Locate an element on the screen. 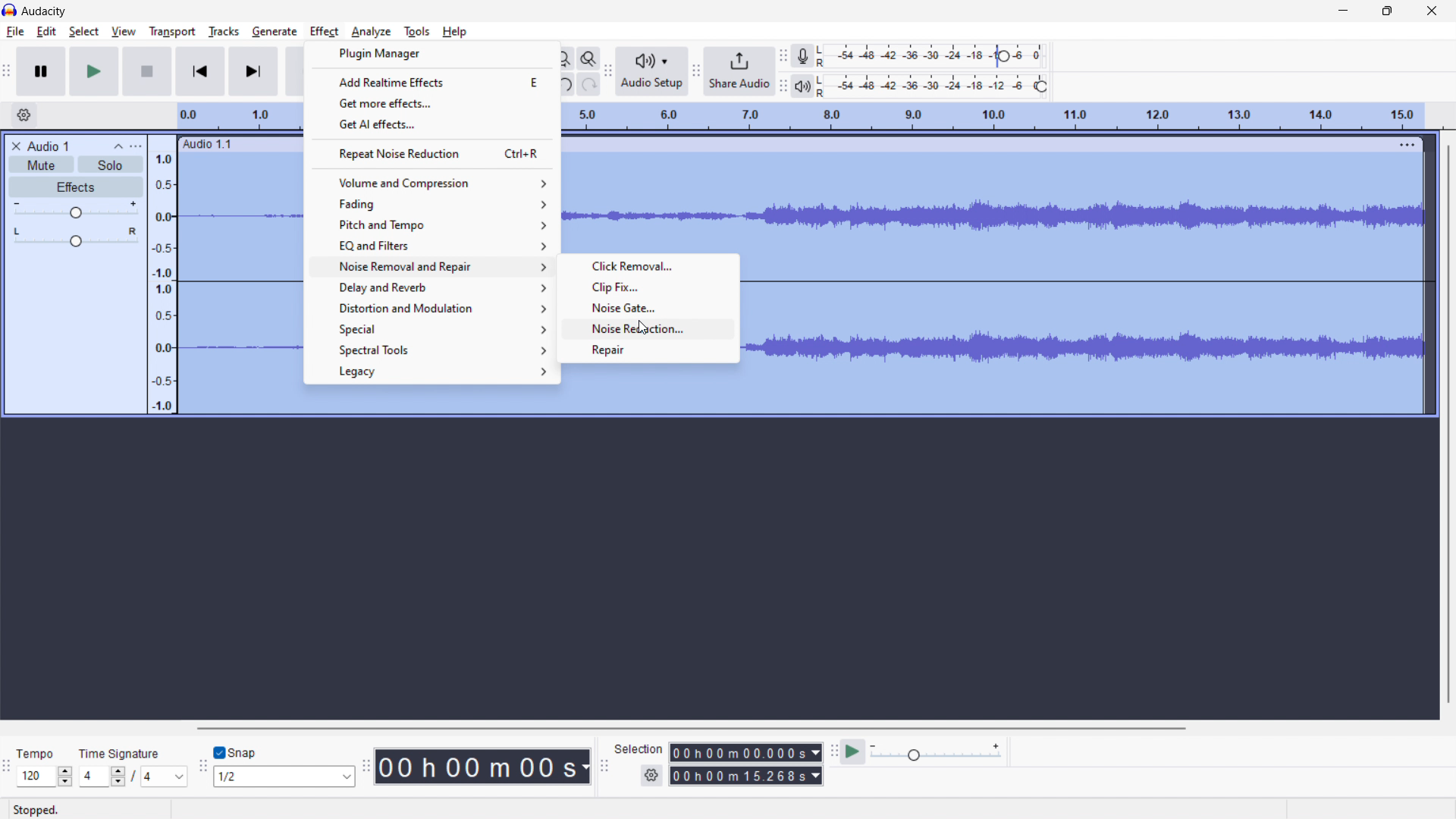 This screenshot has width=1456, height=819. analyze is located at coordinates (372, 32).